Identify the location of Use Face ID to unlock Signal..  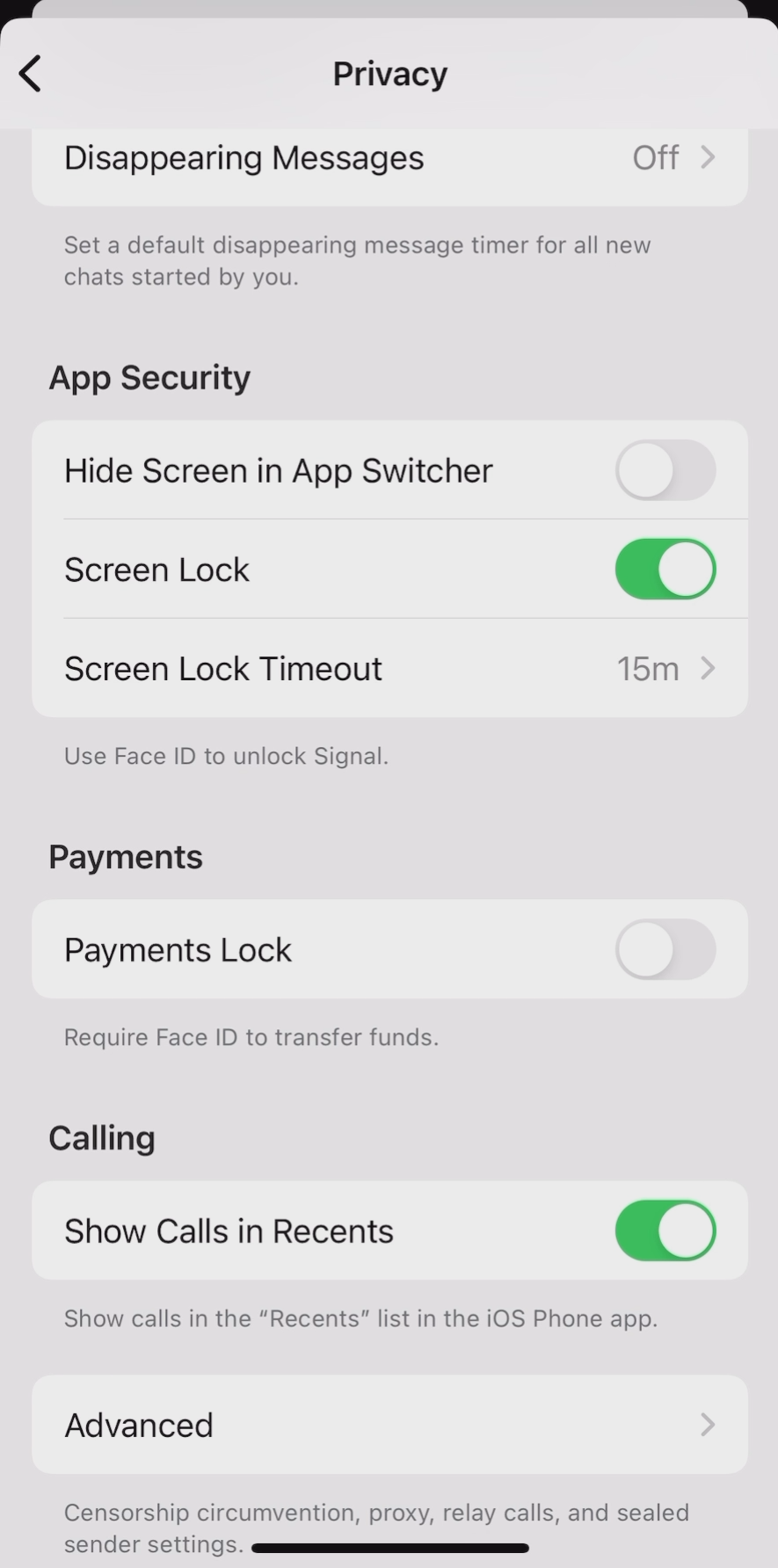
(391, 673).